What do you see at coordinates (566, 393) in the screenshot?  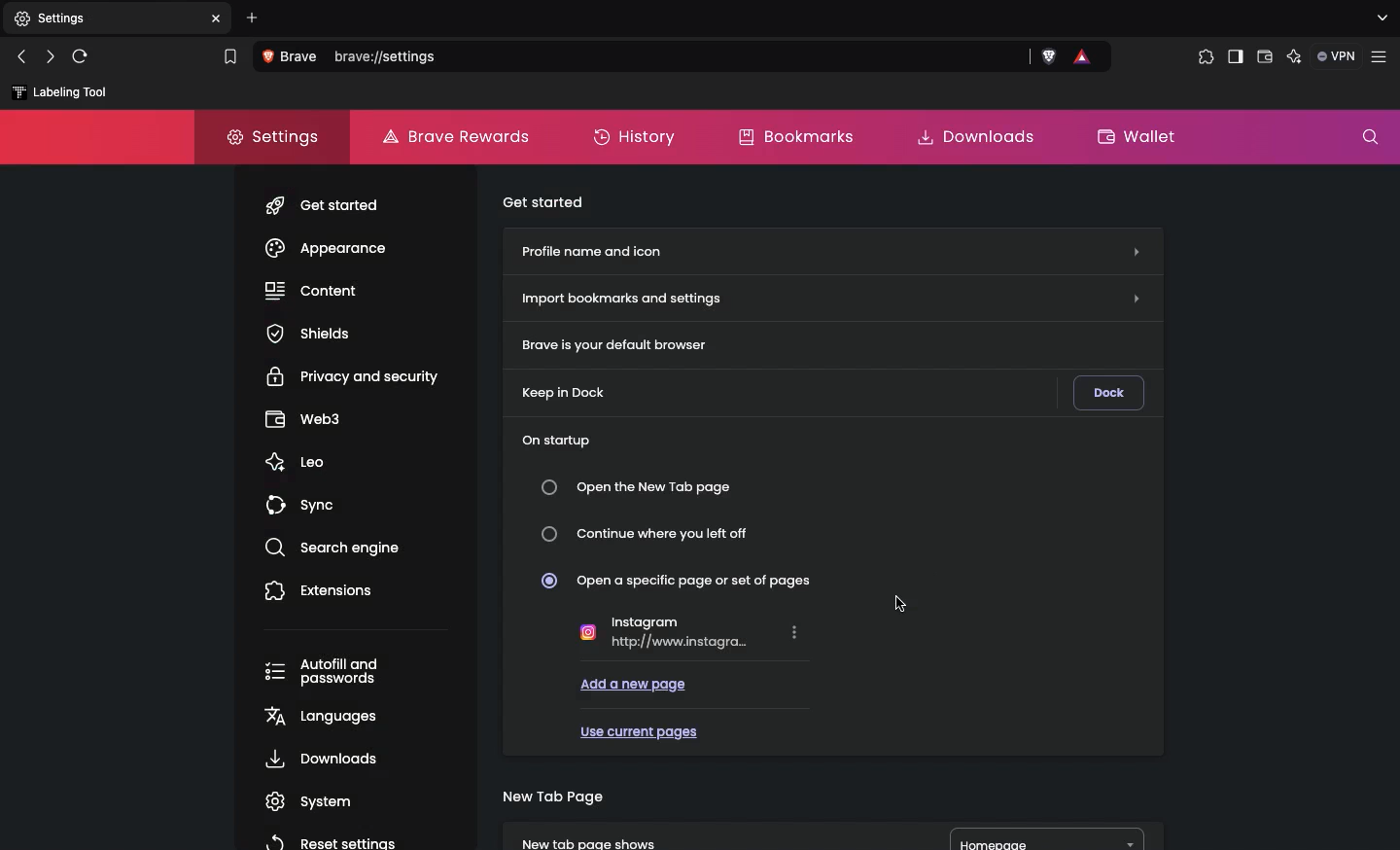 I see `Keep in dock` at bounding box center [566, 393].